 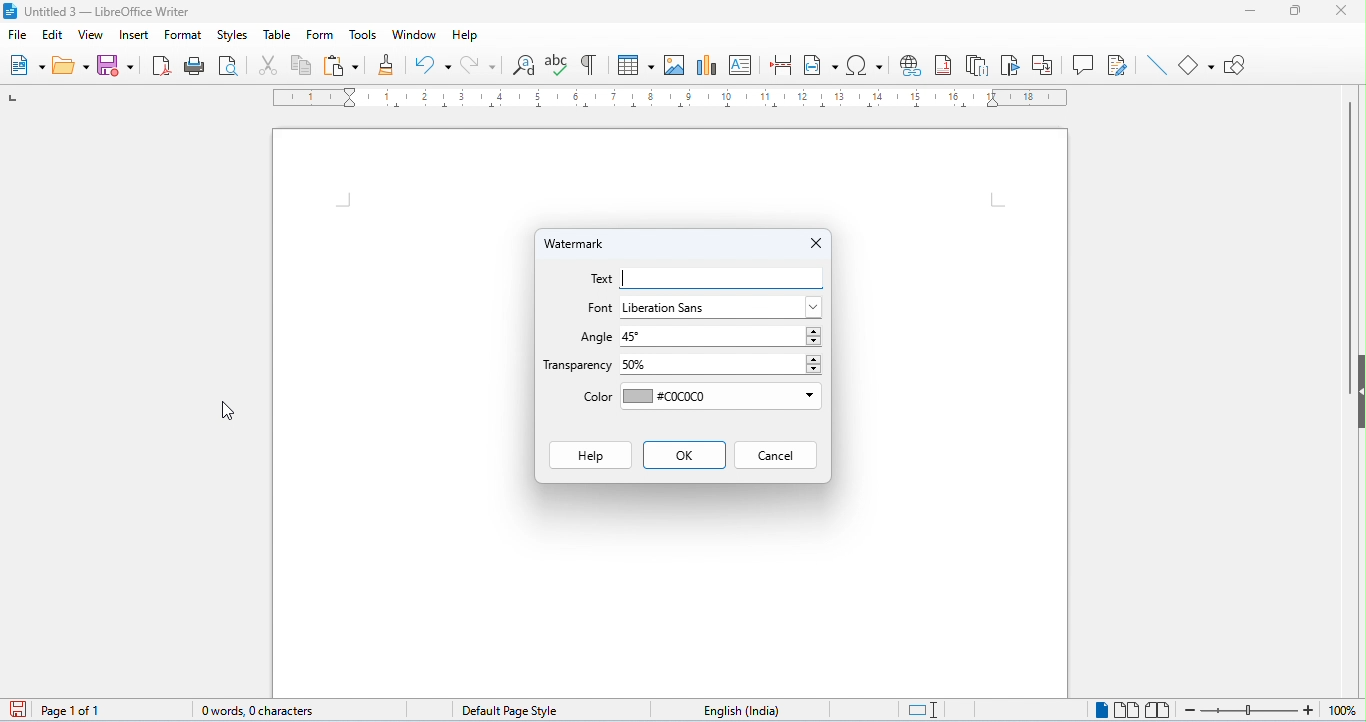 What do you see at coordinates (776, 456) in the screenshot?
I see `cancel` at bounding box center [776, 456].